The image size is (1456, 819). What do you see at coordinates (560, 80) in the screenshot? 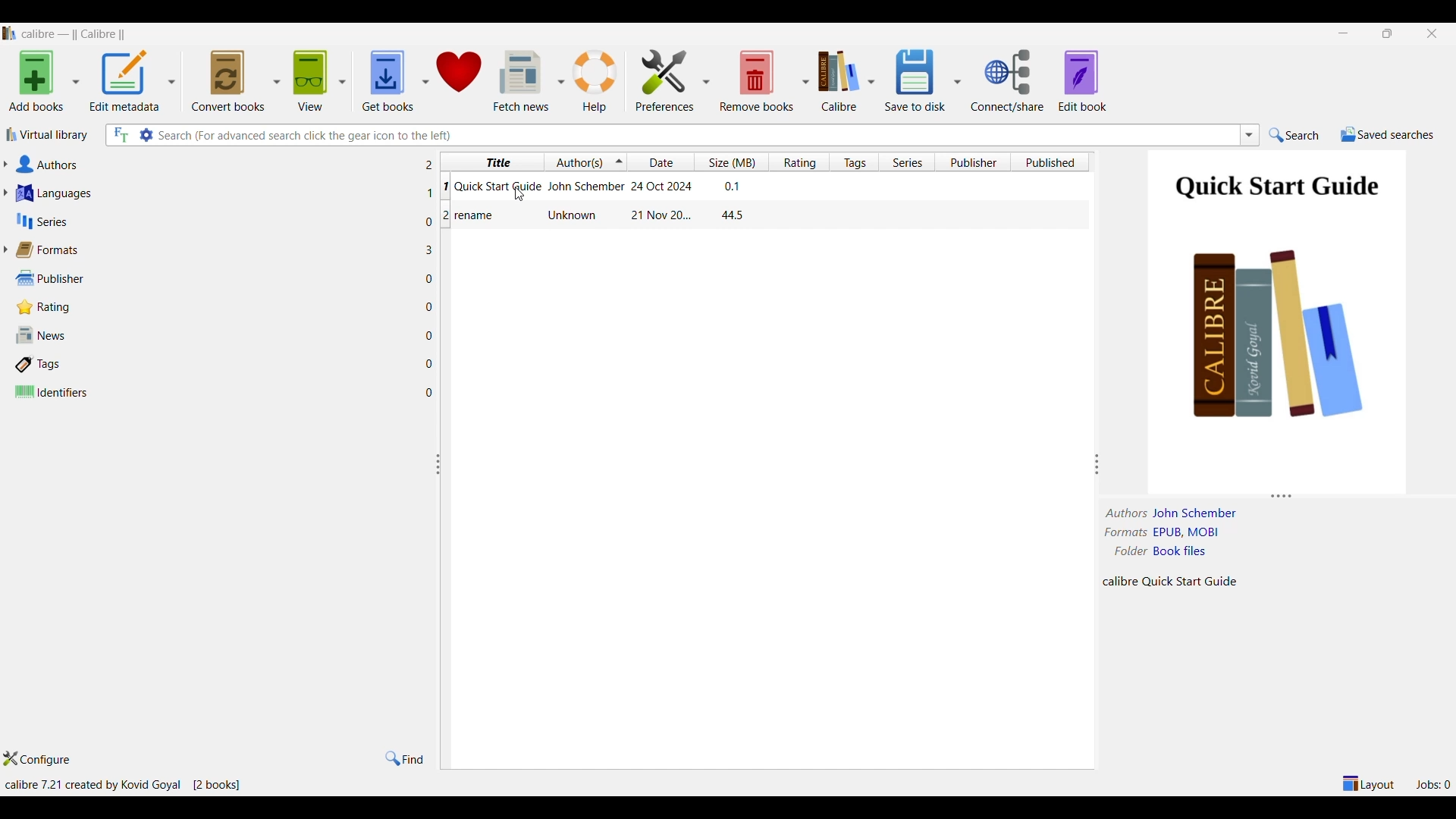
I see `Fetch news column` at bounding box center [560, 80].